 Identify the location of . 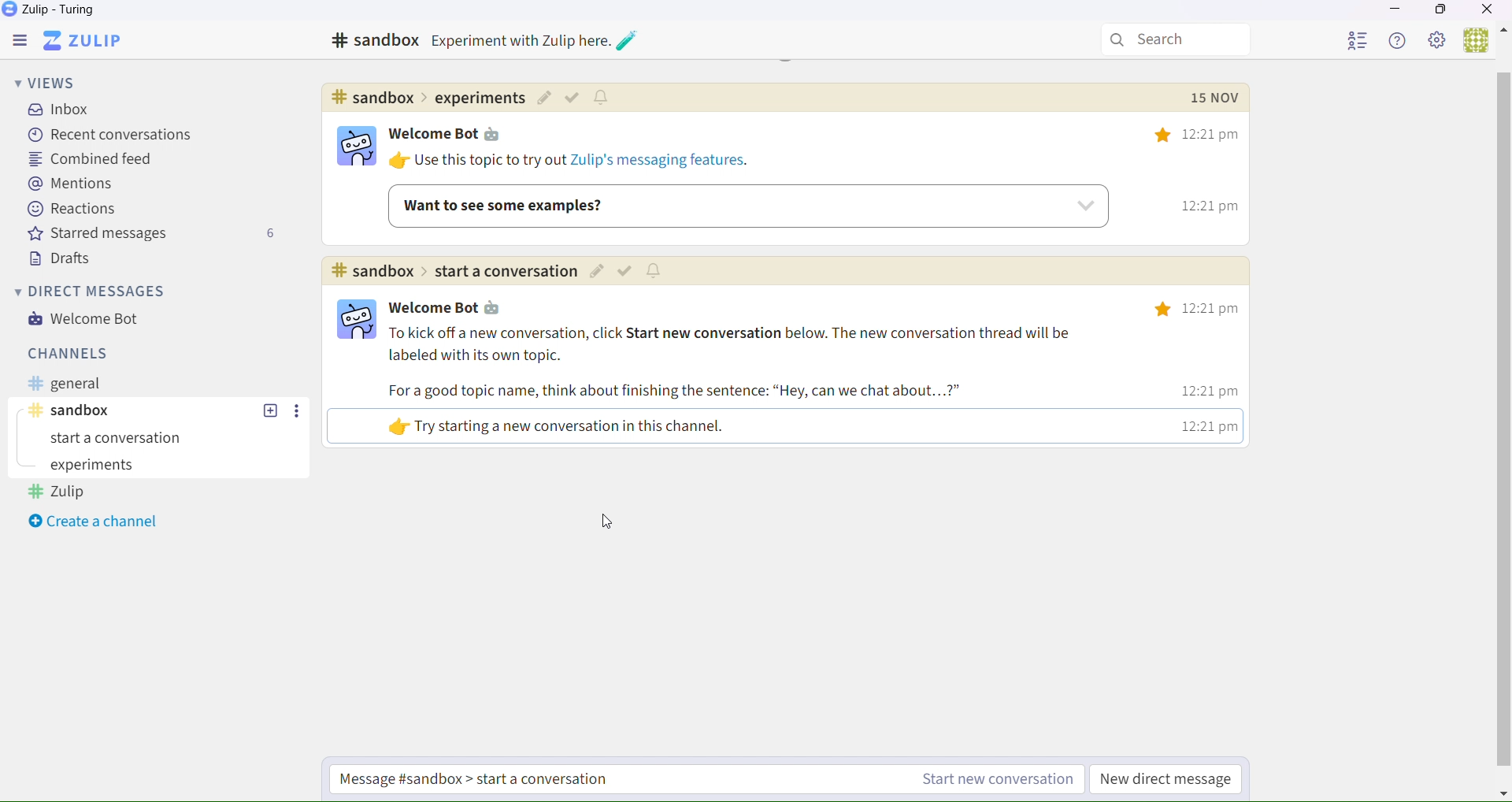
(298, 410).